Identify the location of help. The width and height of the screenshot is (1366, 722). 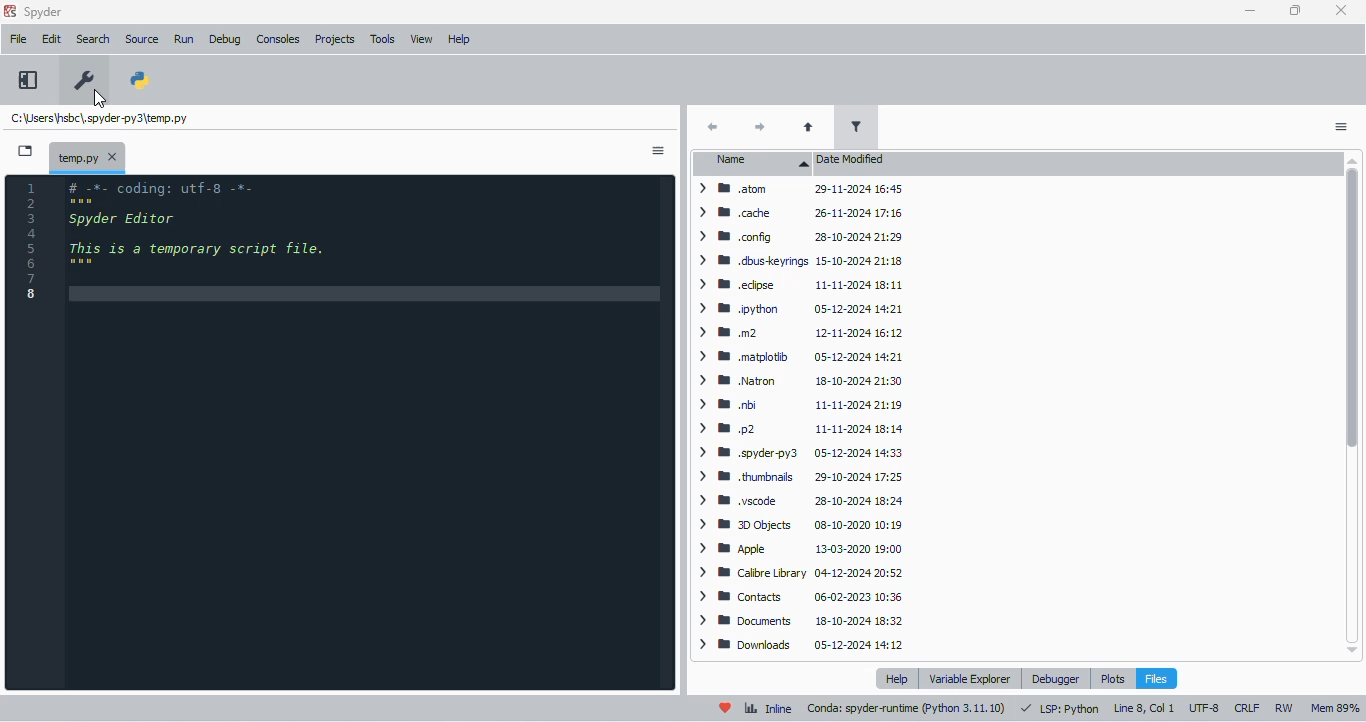
(898, 679).